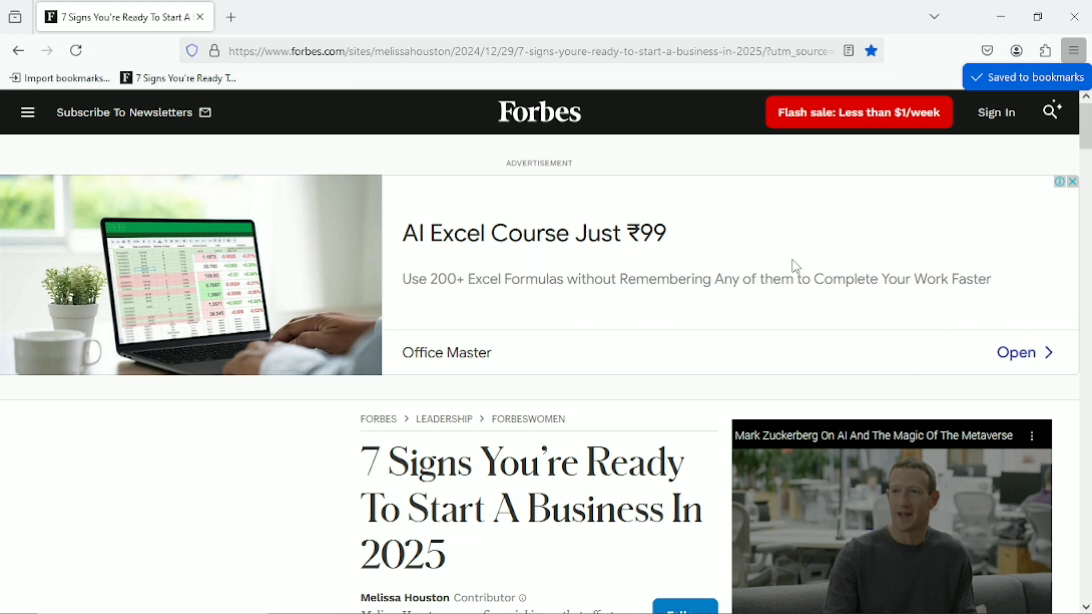 This screenshot has height=614, width=1092. What do you see at coordinates (77, 50) in the screenshot?
I see `Reload current page` at bounding box center [77, 50].